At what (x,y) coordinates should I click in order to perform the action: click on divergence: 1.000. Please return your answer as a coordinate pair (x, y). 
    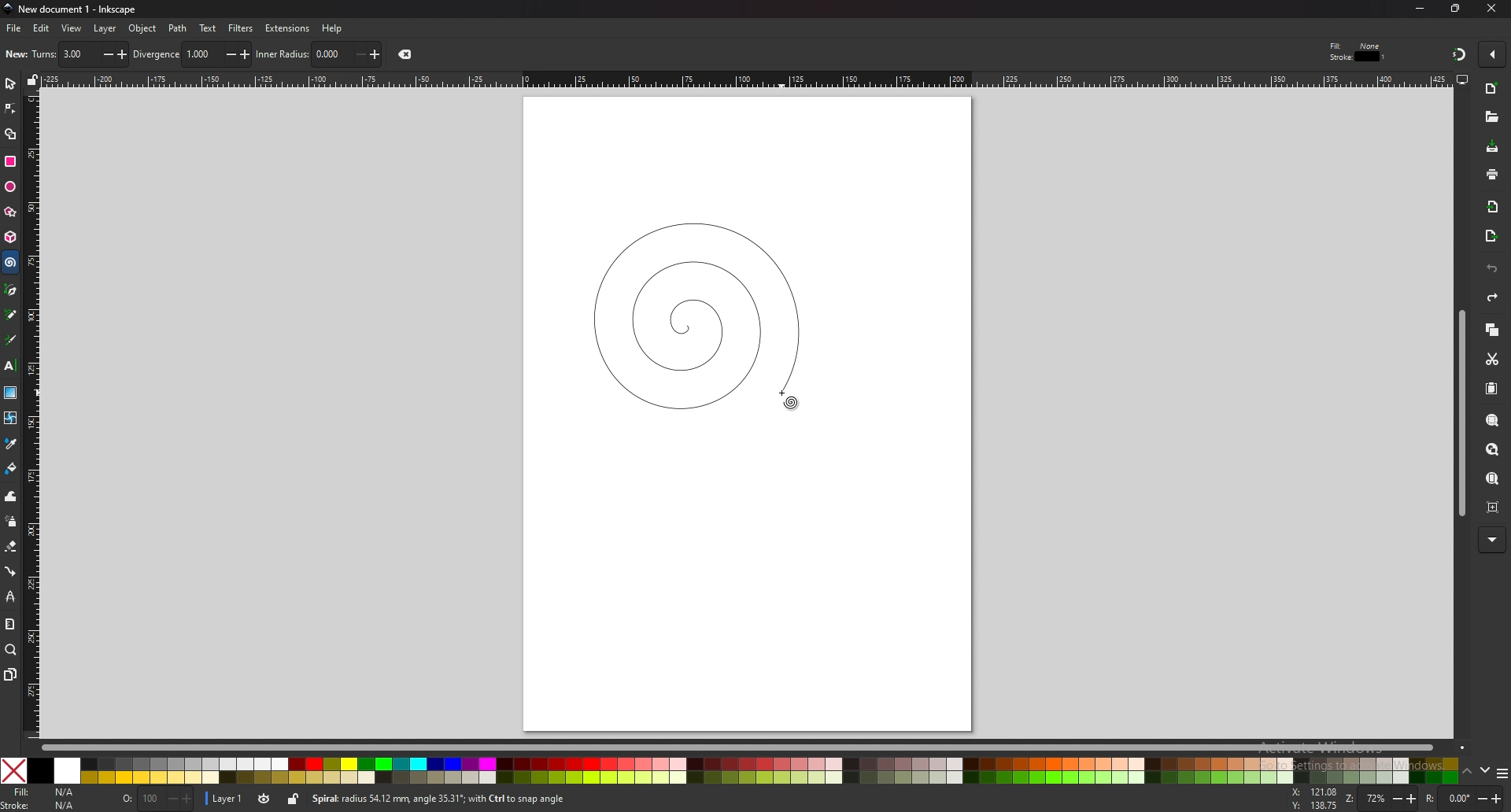
    Looking at the image, I should click on (192, 54).